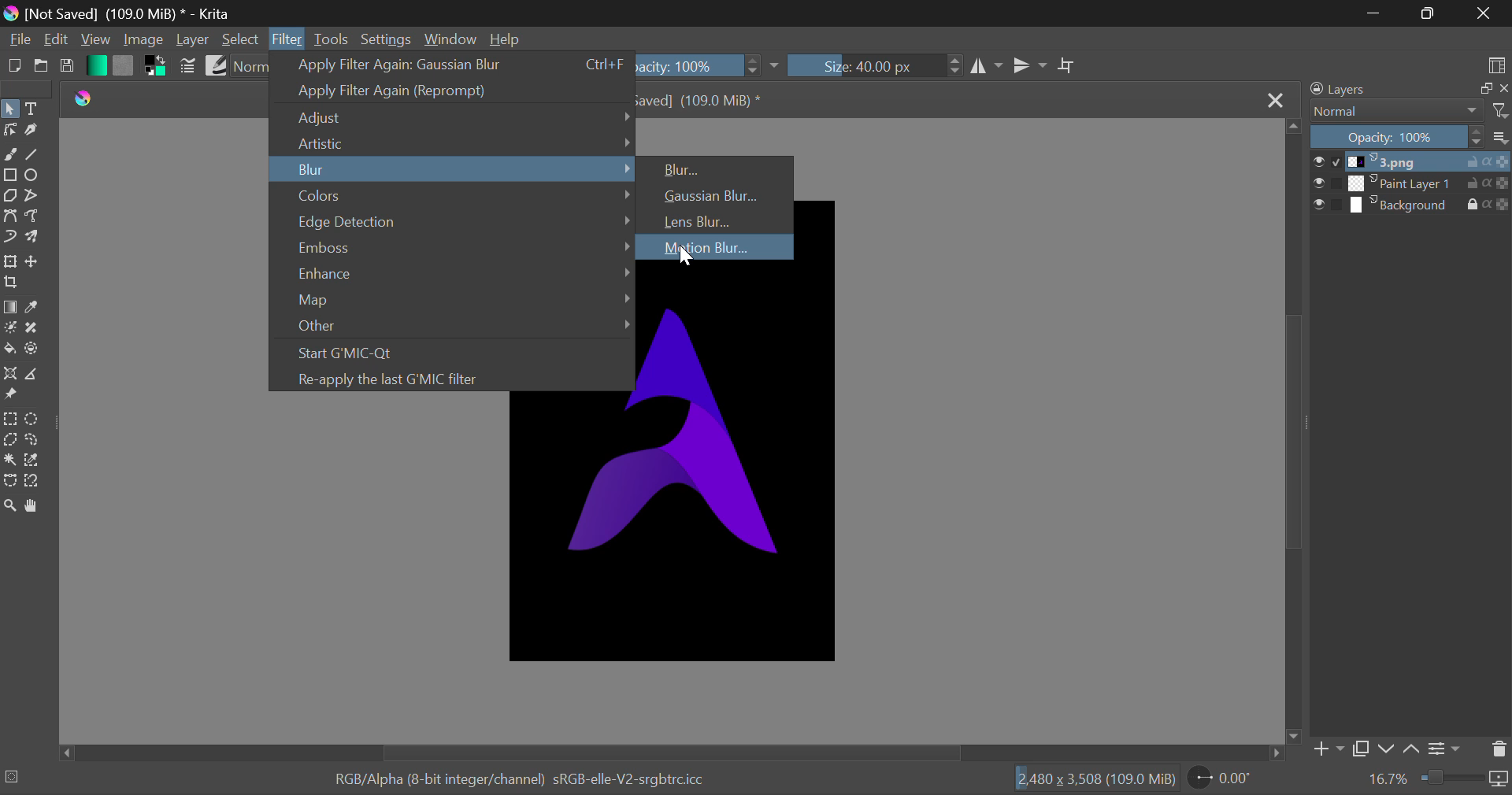 This screenshot has width=1512, height=795. Describe the element at coordinates (9, 374) in the screenshot. I see `Assistant Tool` at that location.